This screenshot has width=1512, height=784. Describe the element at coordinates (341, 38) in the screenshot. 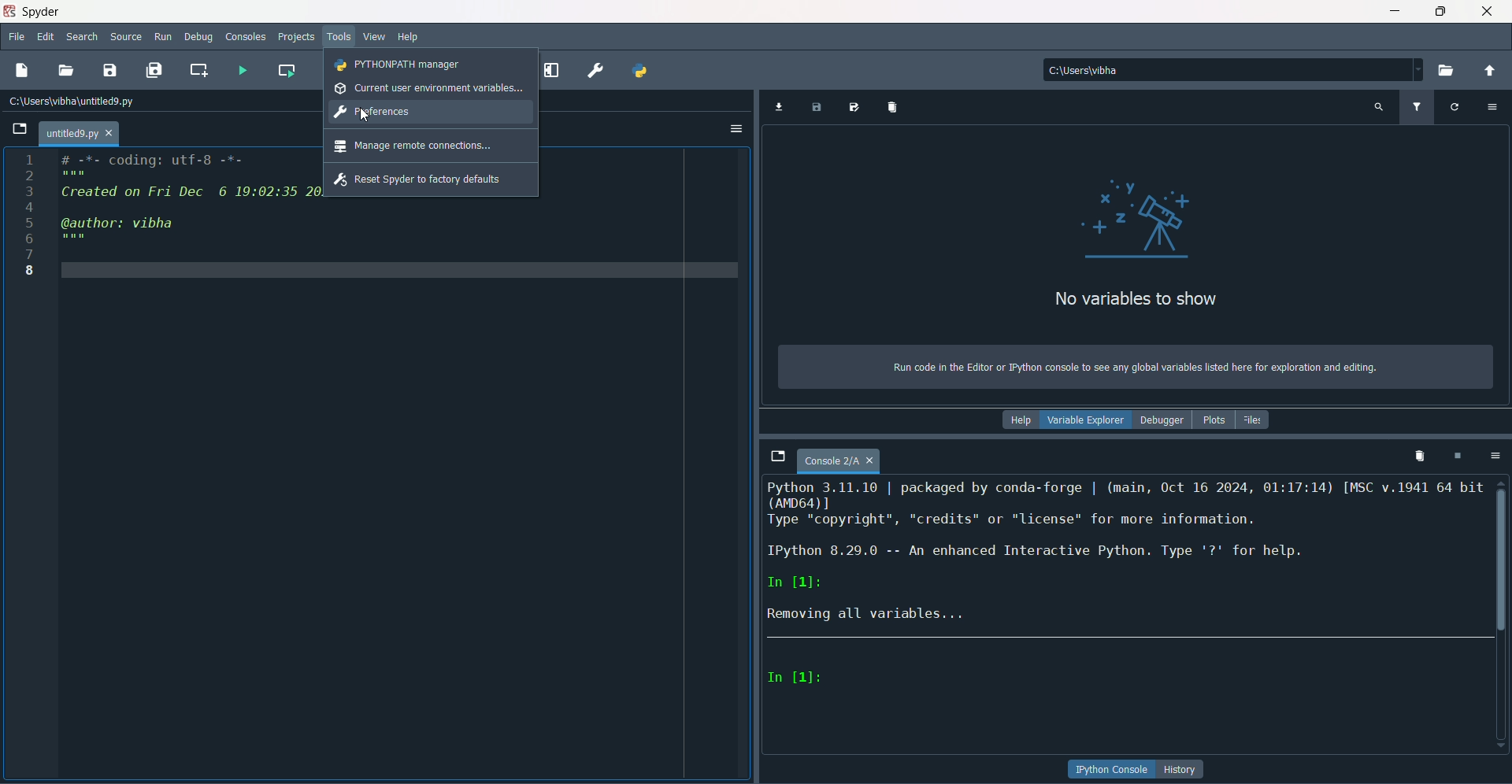

I see `tools` at that location.